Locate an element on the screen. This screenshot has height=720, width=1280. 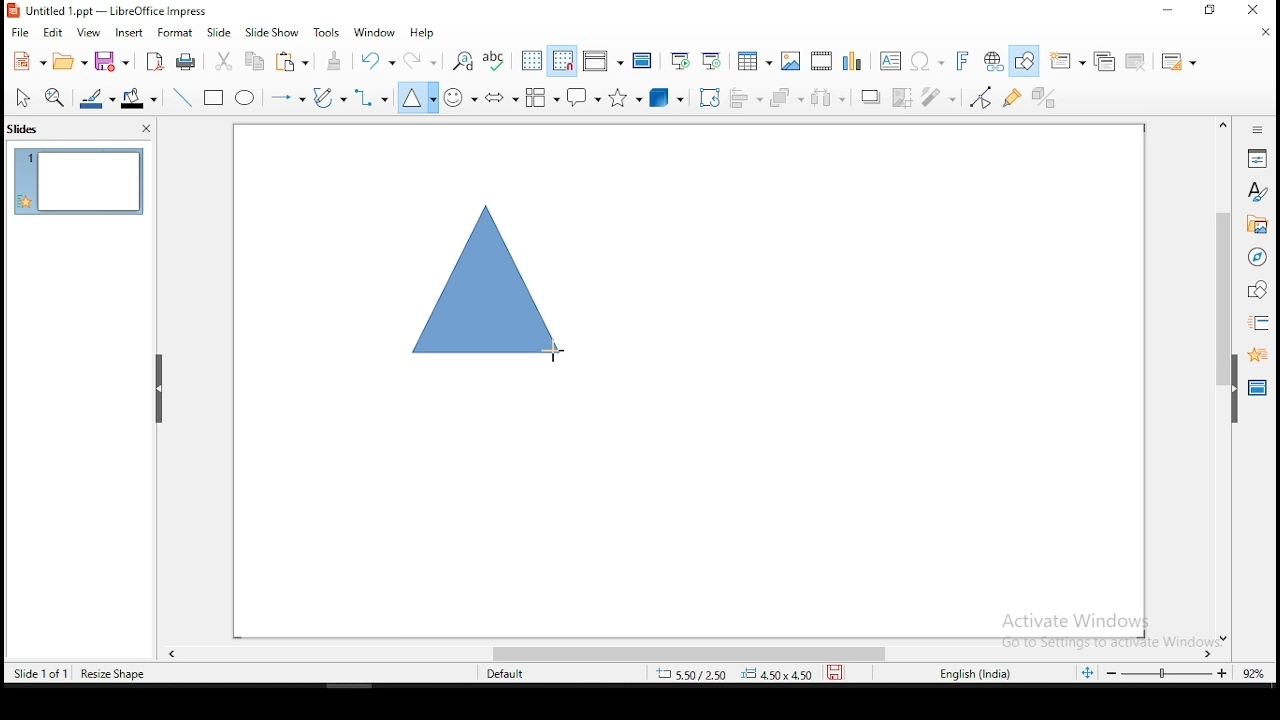
callout shapes is located at coordinates (582, 98).